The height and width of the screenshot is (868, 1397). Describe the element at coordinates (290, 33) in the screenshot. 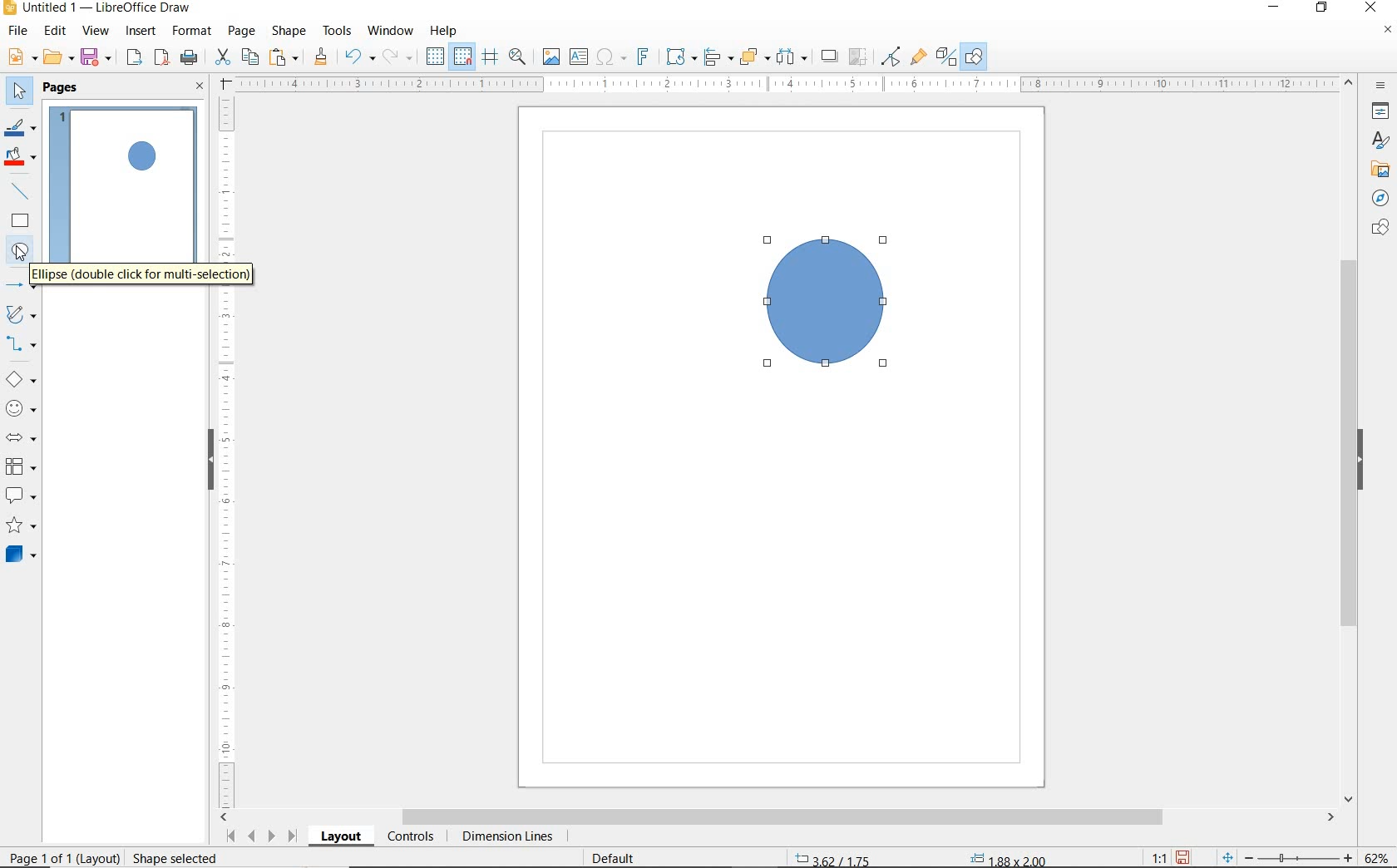

I see `SHAPE` at that location.